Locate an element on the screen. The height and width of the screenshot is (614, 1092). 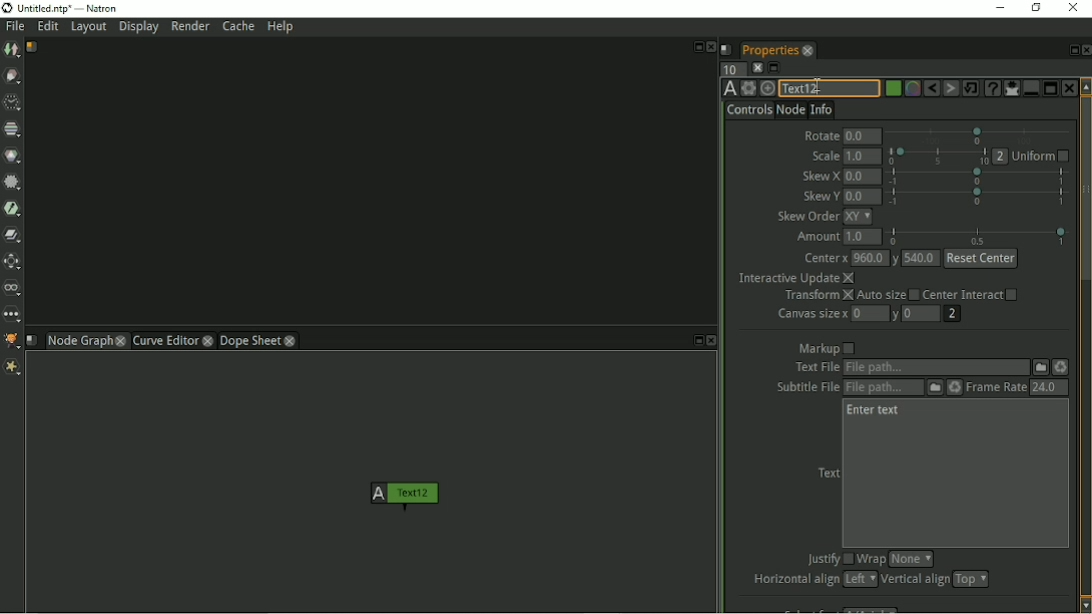
Frame Rate is located at coordinates (995, 387).